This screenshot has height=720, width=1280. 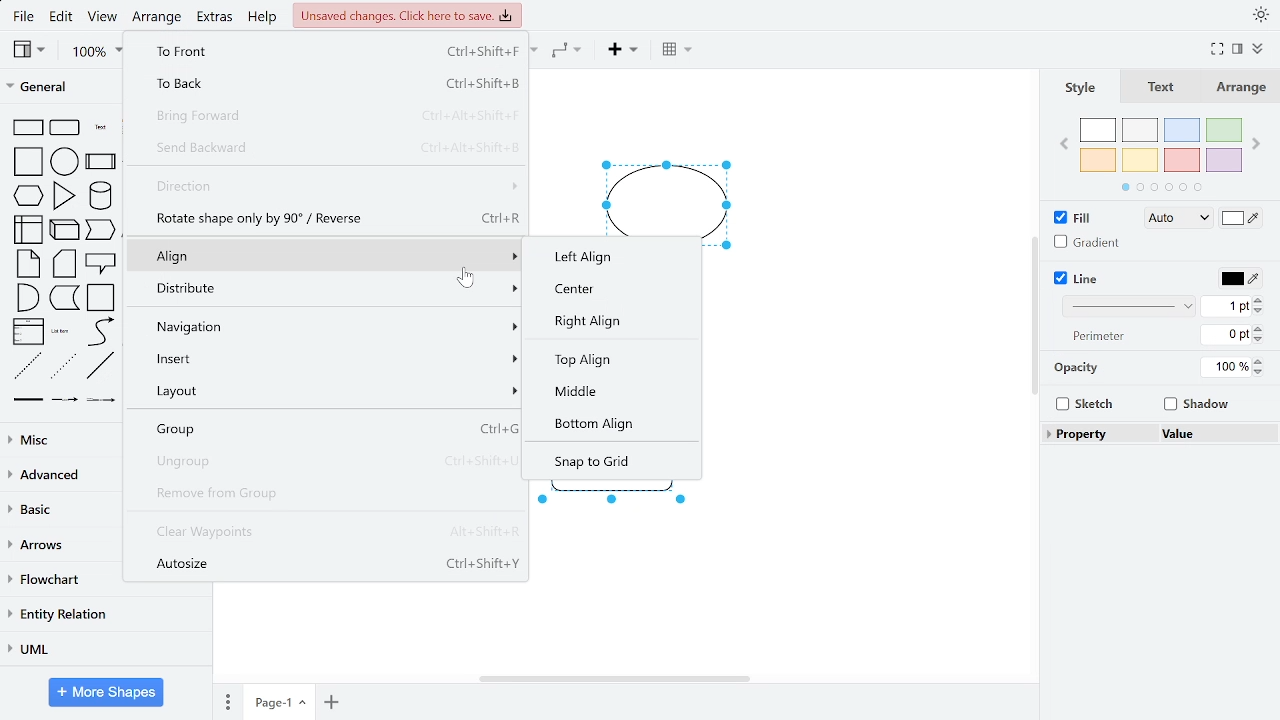 What do you see at coordinates (328, 149) in the screenshot?
I see `send backward` at bounding box center [328, 149].